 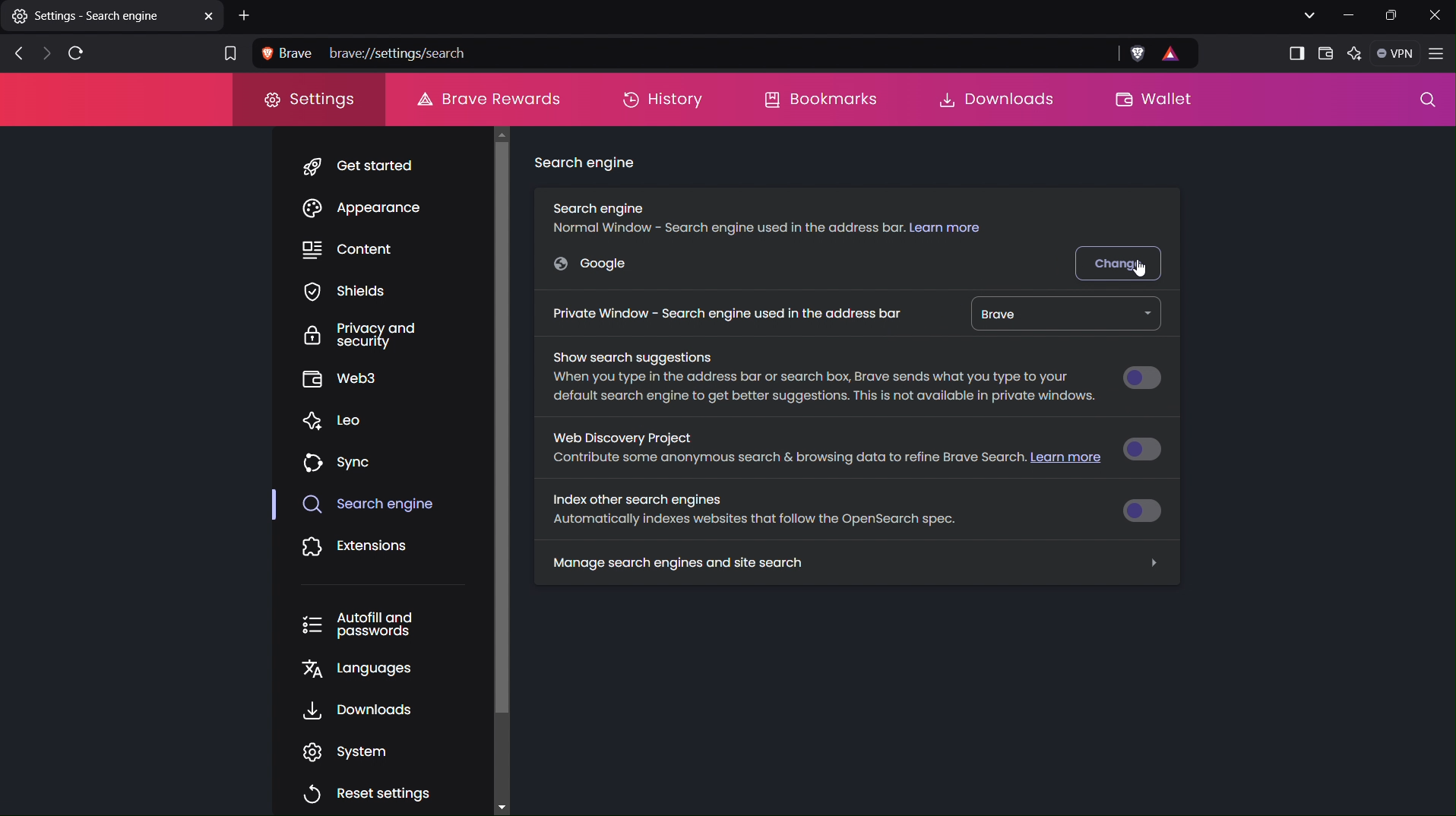 I want to click on Add New Tab, so click(x=246, y=16).